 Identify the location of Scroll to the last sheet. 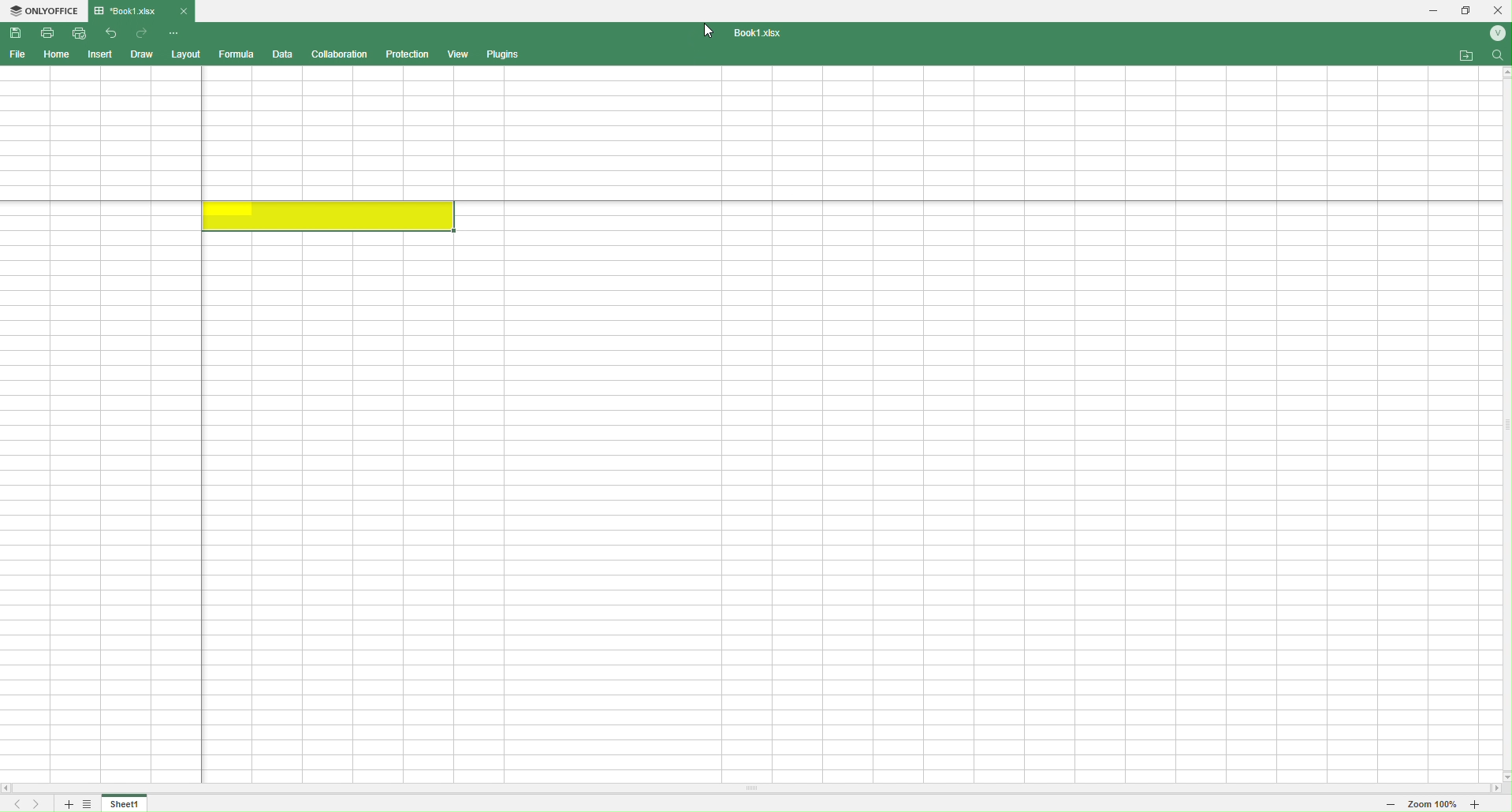
(39, 804).